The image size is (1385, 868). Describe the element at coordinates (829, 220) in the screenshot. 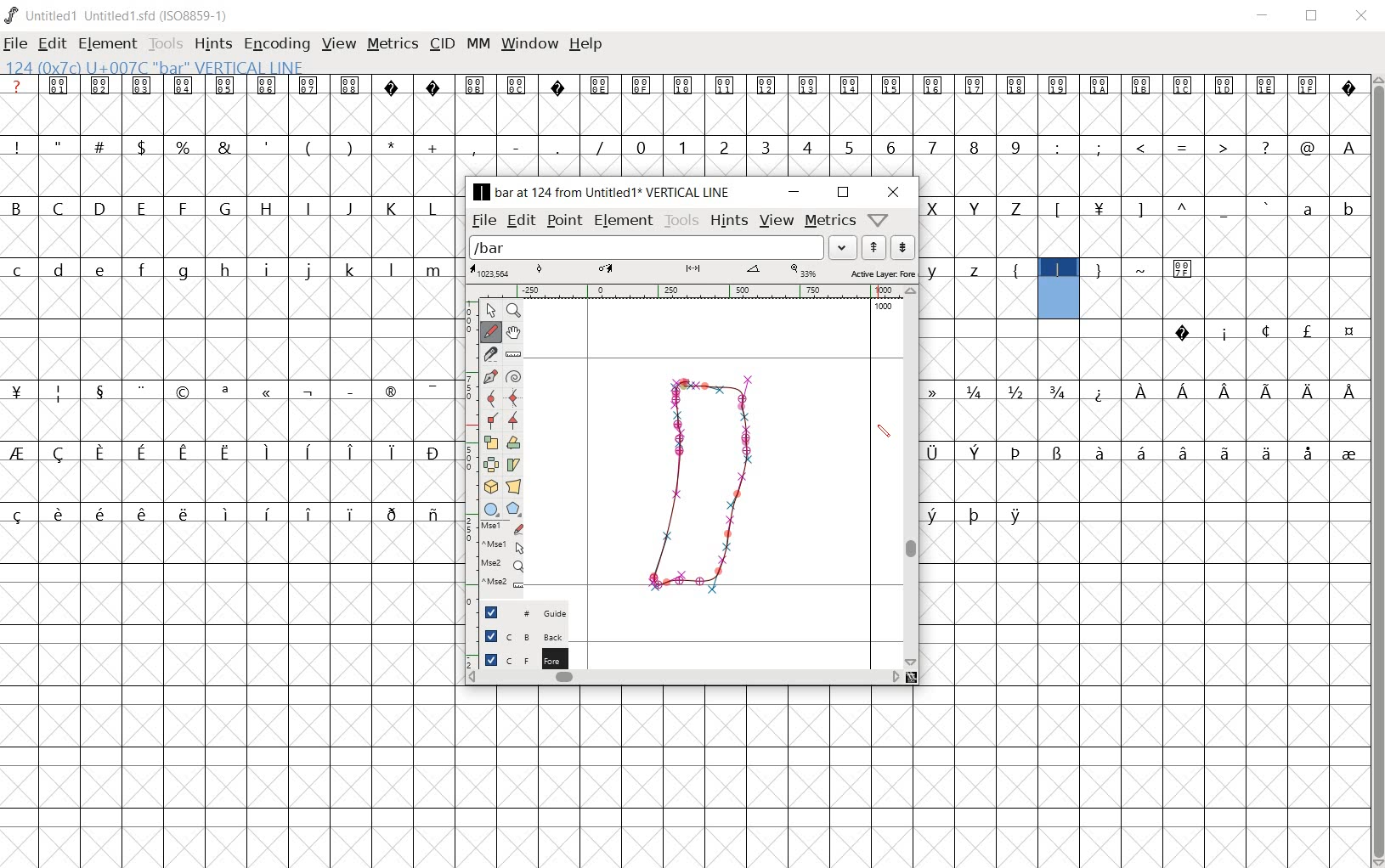

I see `metrics` at that location.